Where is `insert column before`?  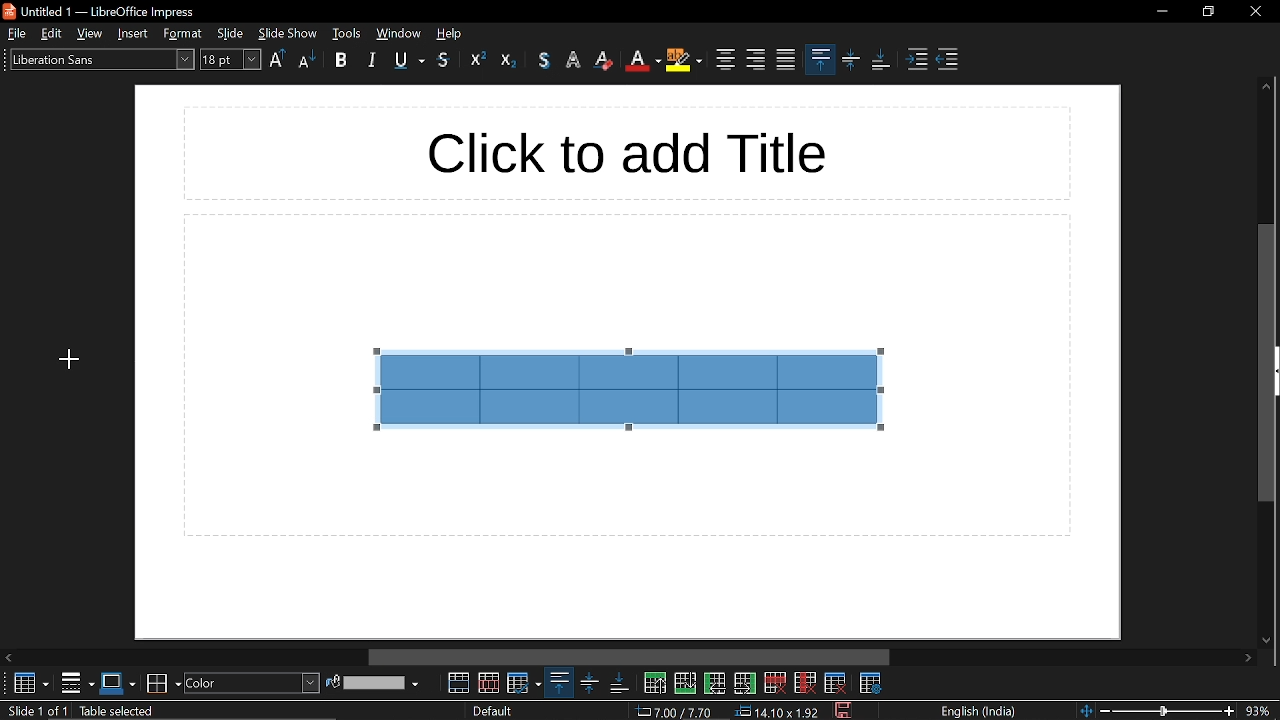
insert column before is located at coordinates (715, 683).